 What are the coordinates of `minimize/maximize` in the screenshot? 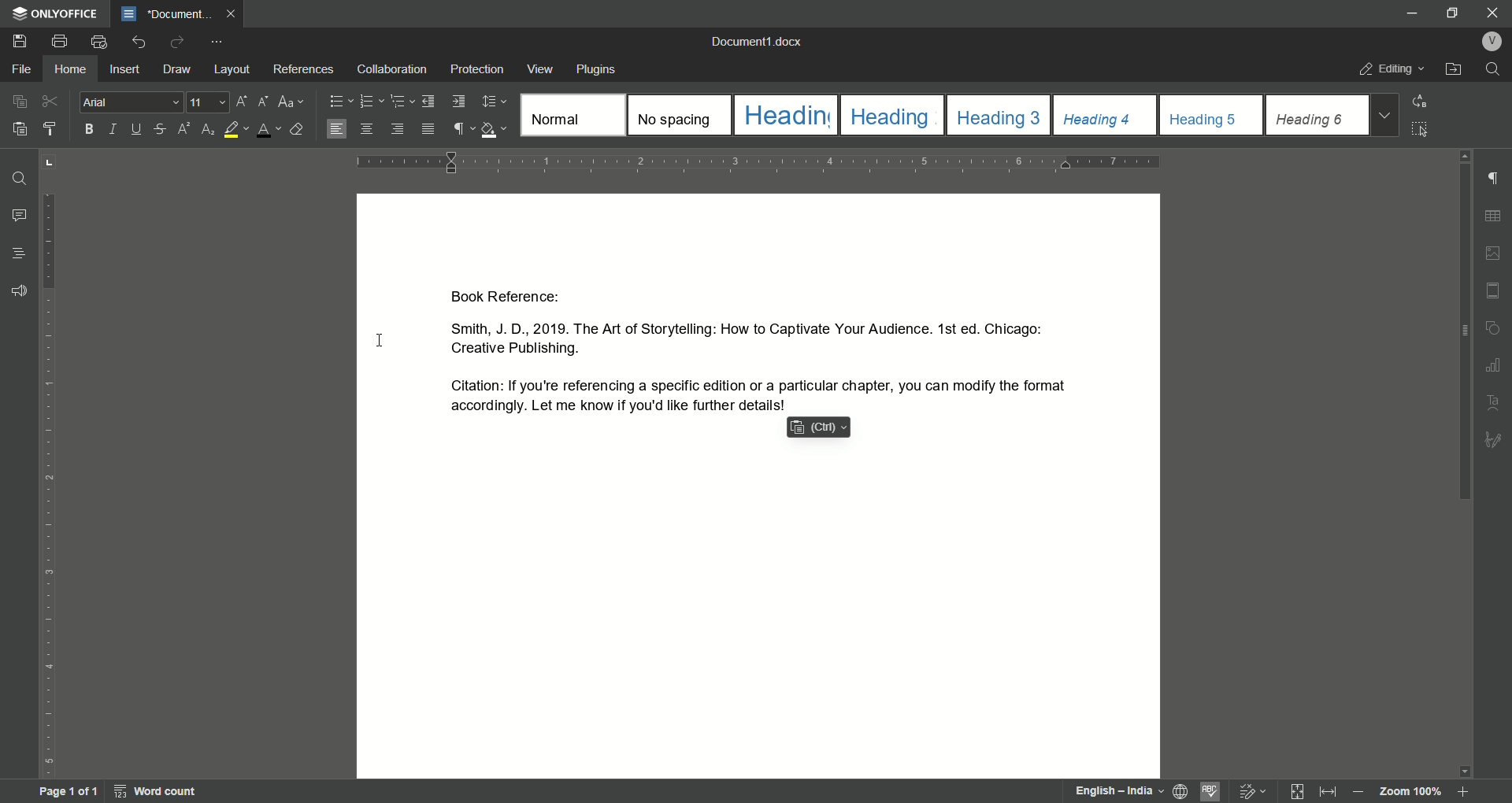 It's located at (1450, 15).